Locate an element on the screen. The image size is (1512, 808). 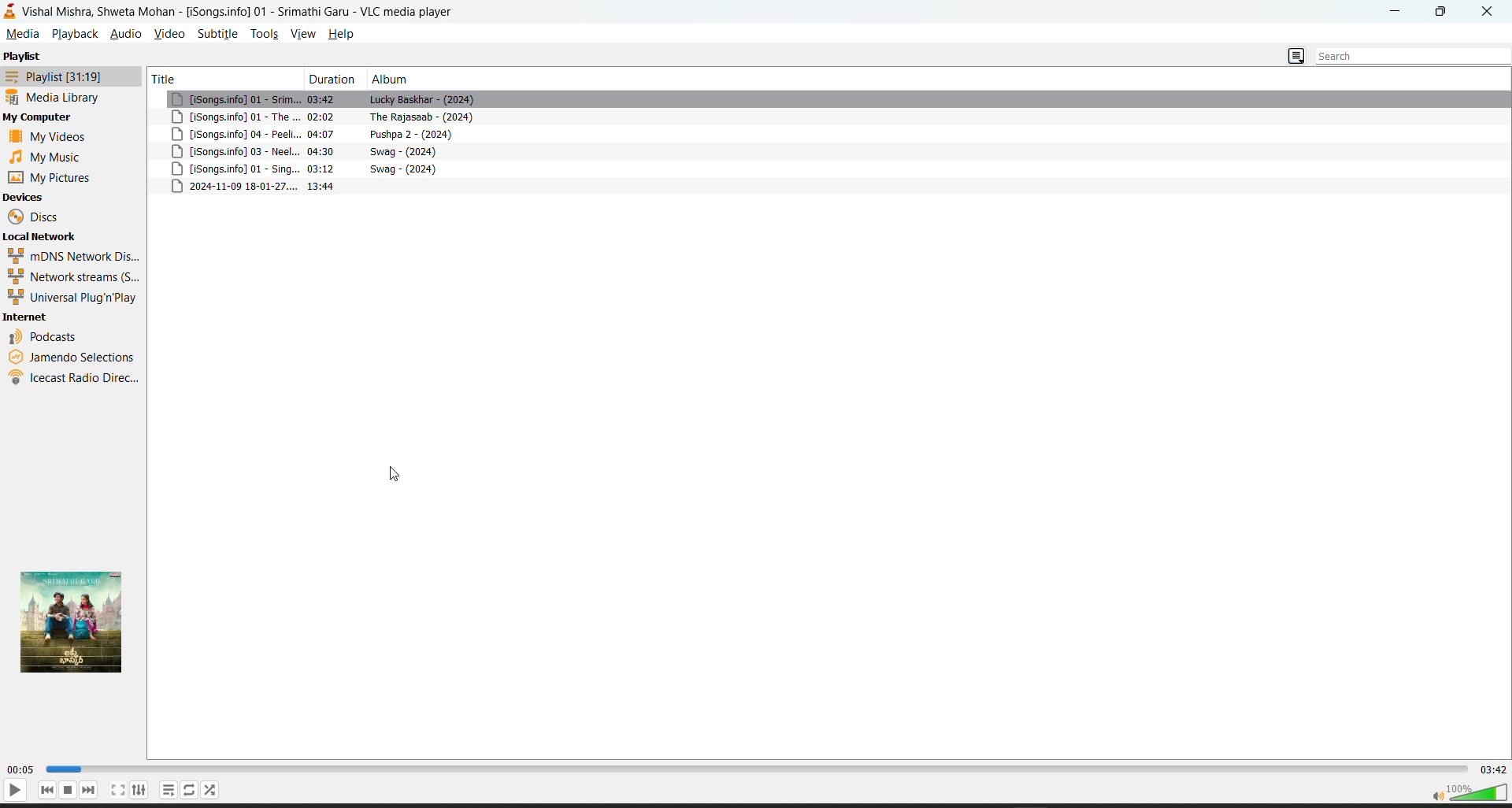
close is located at coordinates (1487, 10).